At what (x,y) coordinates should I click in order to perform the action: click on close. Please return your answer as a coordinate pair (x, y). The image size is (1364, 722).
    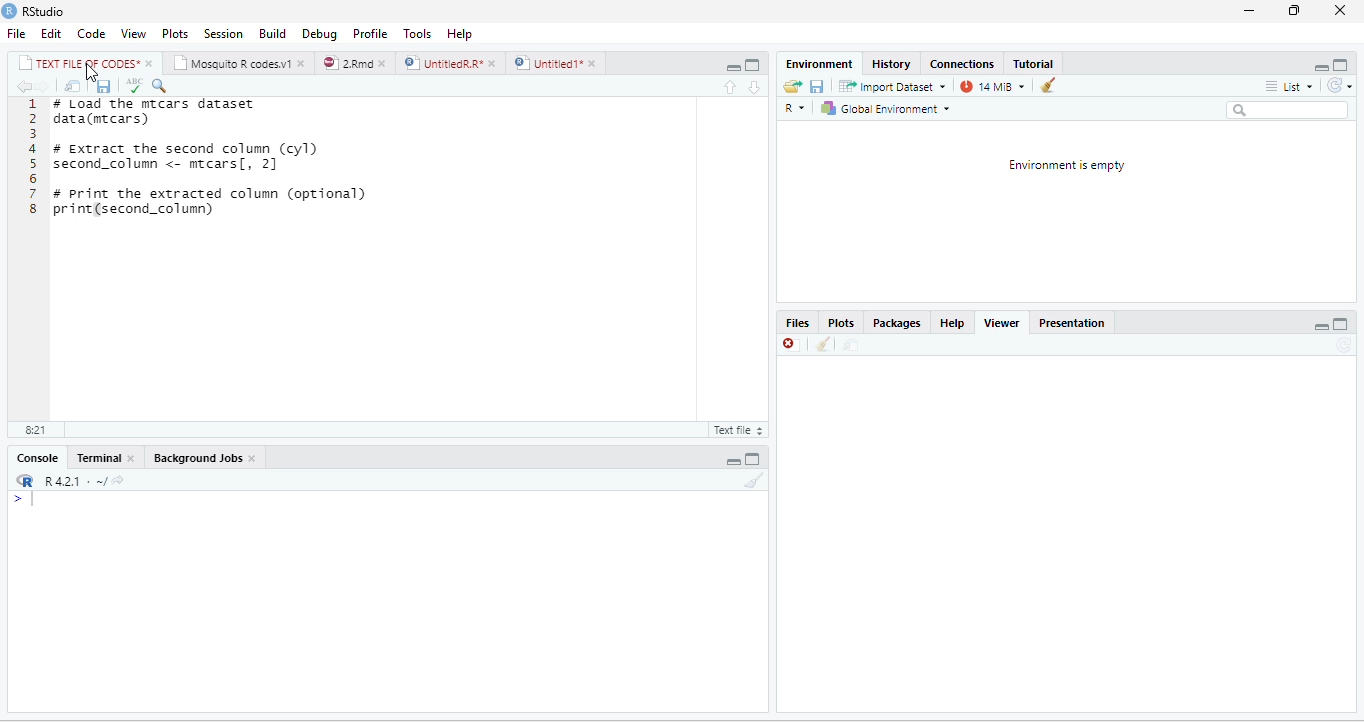
    Looking at the image, I should click on (304, 63).